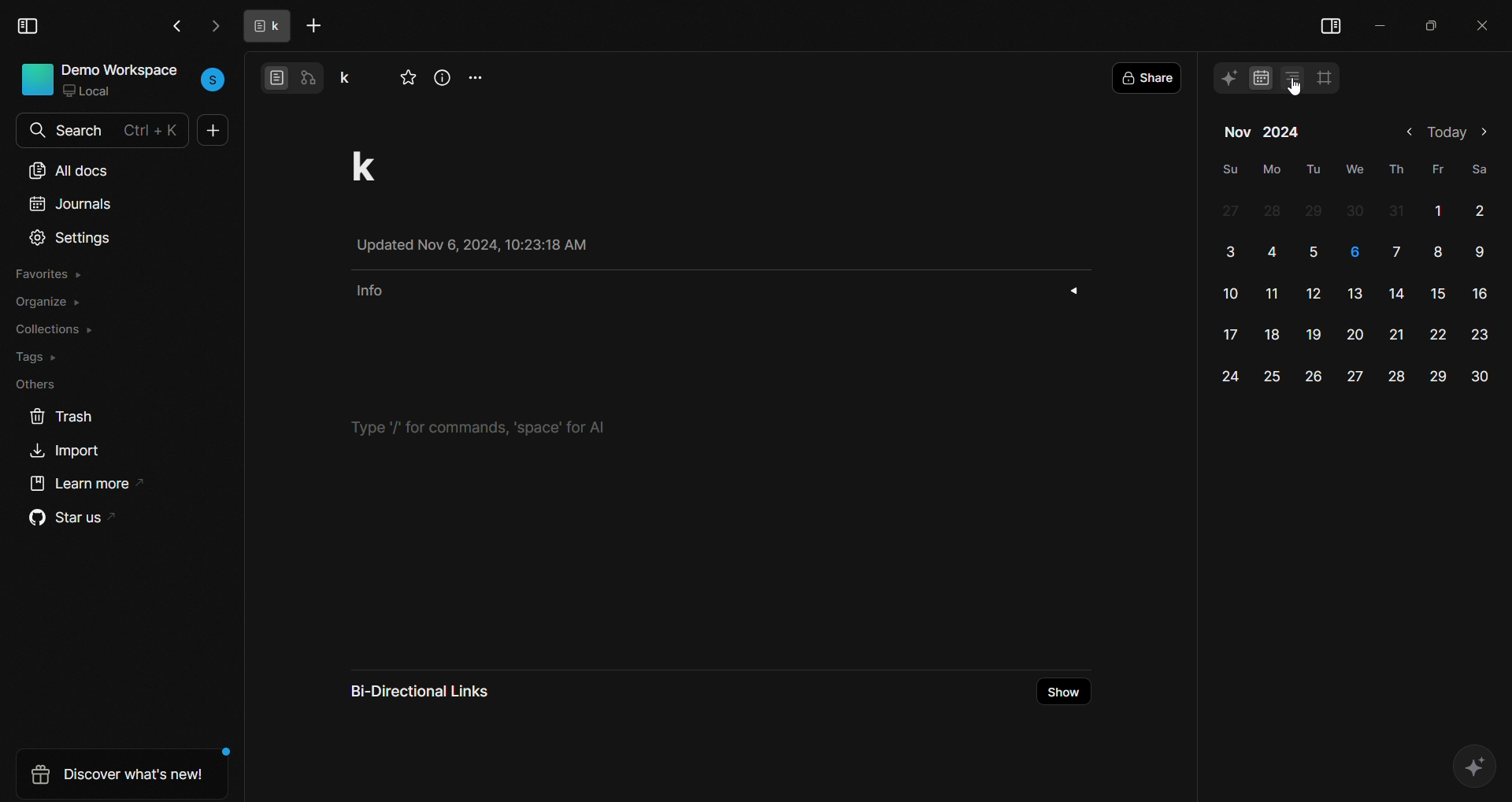 This screenshot has width=1512, height=802. Describe the element at coordinates (214, 79) in the screenshot. I see `user` at that location.